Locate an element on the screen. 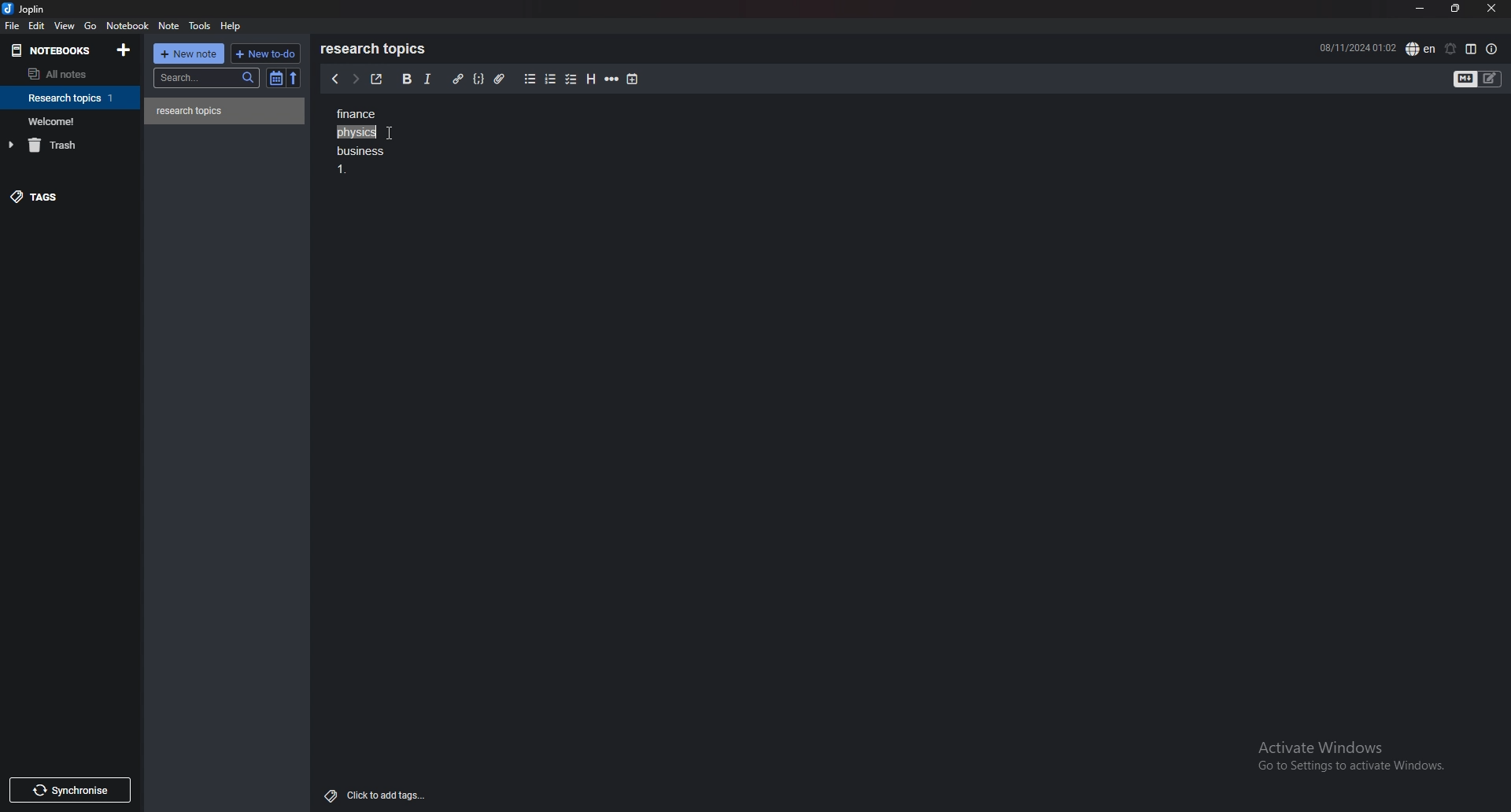 This screenshot has height=812, width=1511. search bar is located at coordinates (208, 77).